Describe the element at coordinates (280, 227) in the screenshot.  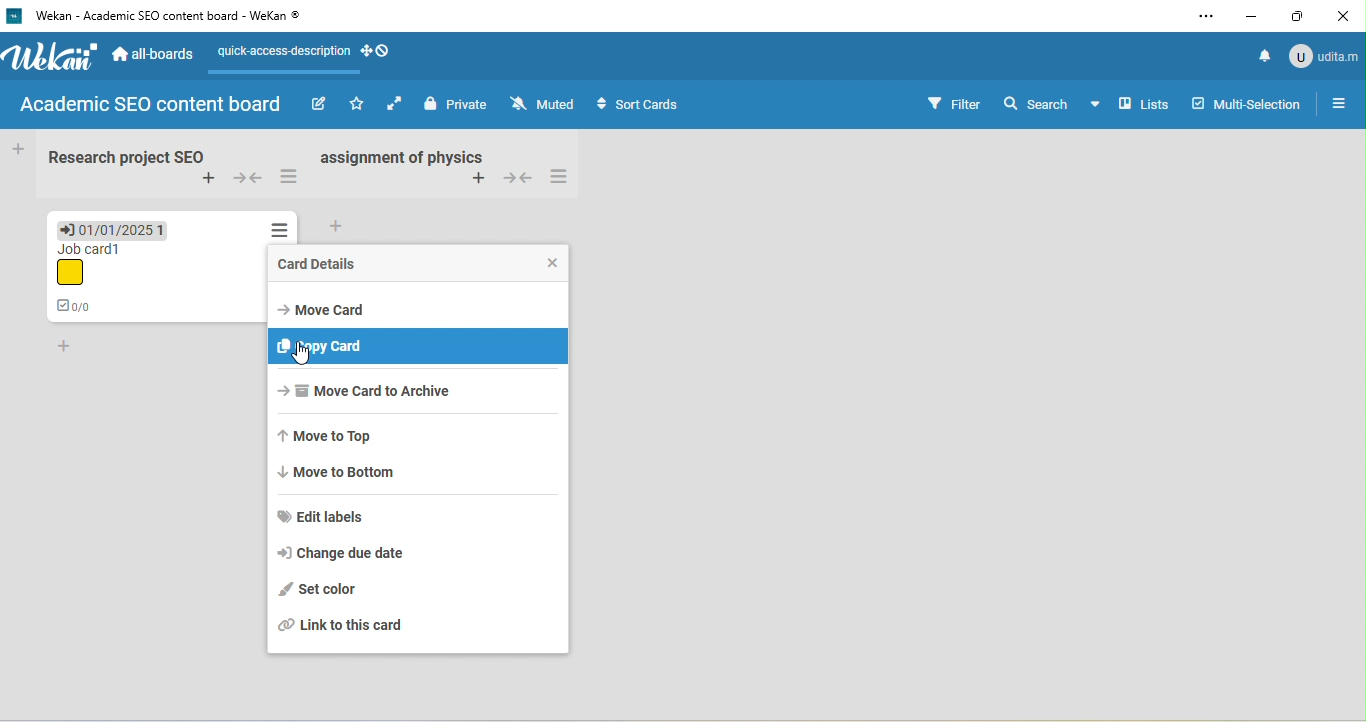
I see `action` at that location.